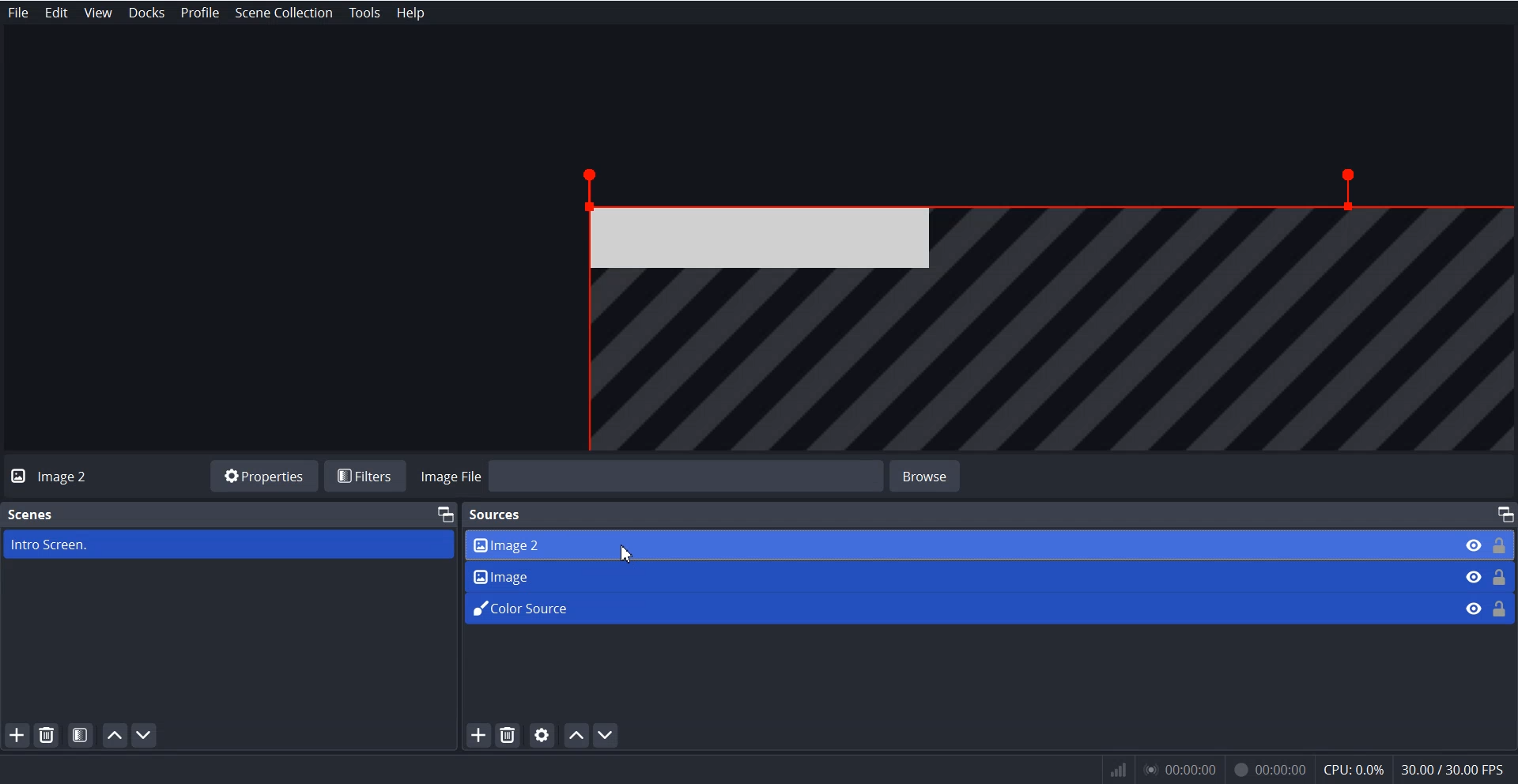 Image resolution: width=1518 pixels, height=784 pixels. I want to click on Intro Screen, so click(228, 545).